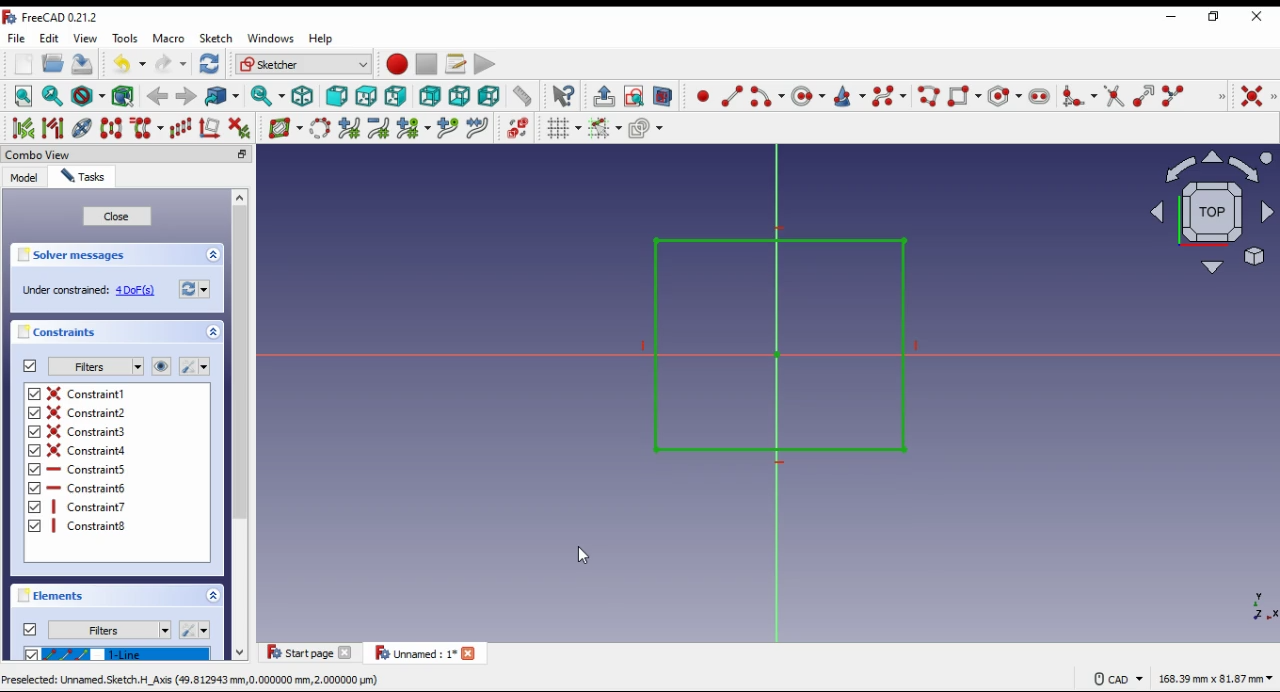 The image size is (1280, 692). What do you see at coordinates (703, 95) in the screenshot?
I see `create point` at bounding box center [703, 95].